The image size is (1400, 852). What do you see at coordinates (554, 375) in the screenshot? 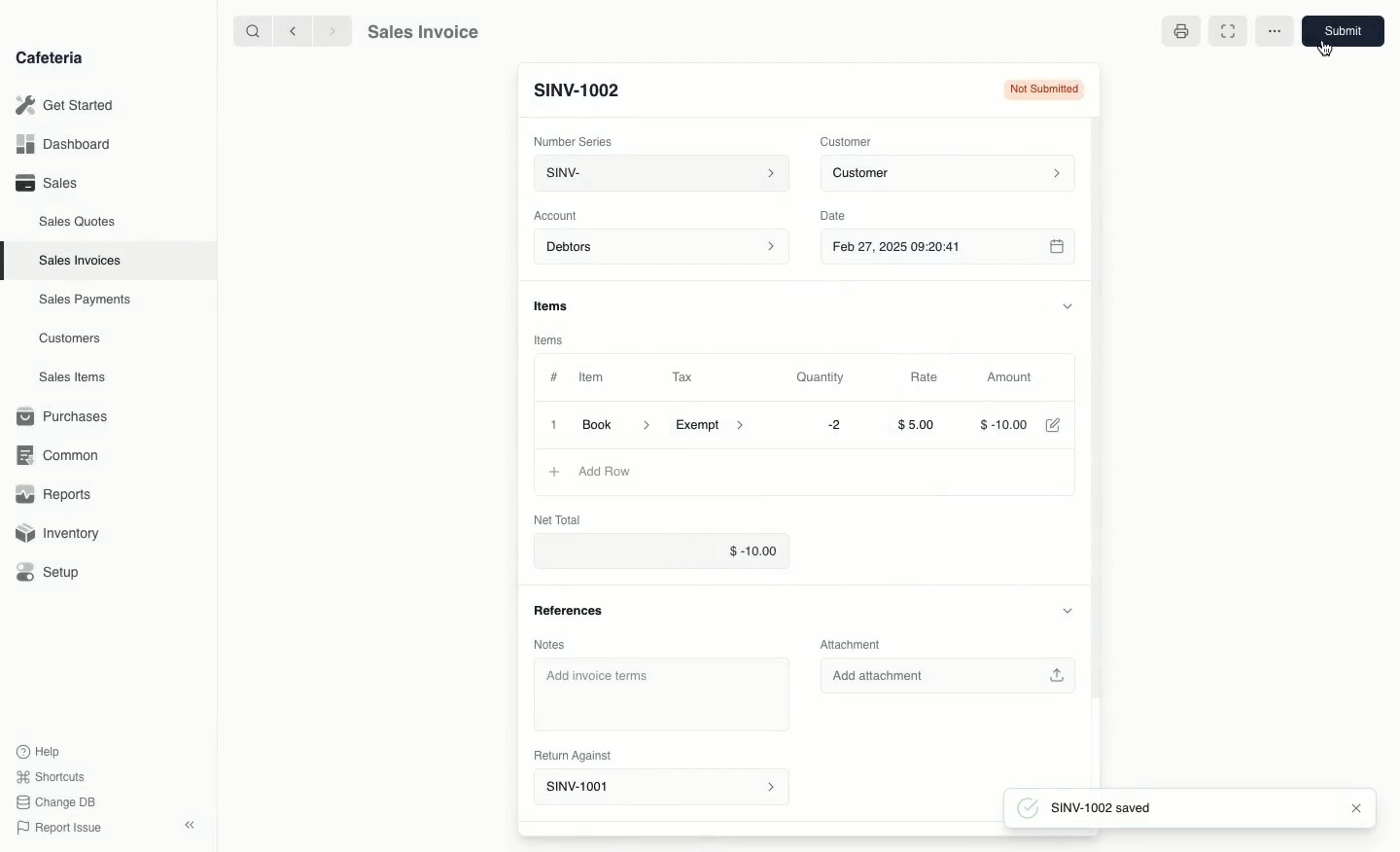
I see `#` at bounding box center [554, 375].